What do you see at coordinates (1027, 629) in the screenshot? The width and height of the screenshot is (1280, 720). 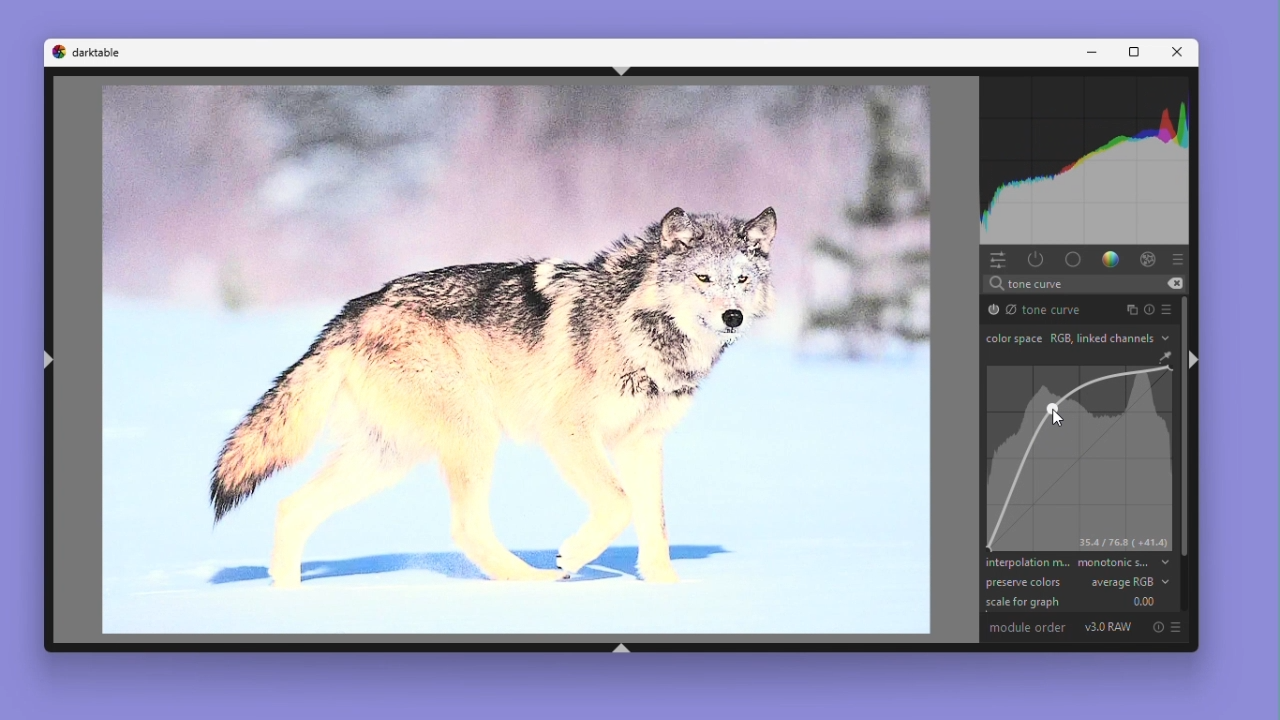 I see `Module order ` at bounding box center [1027, 629].